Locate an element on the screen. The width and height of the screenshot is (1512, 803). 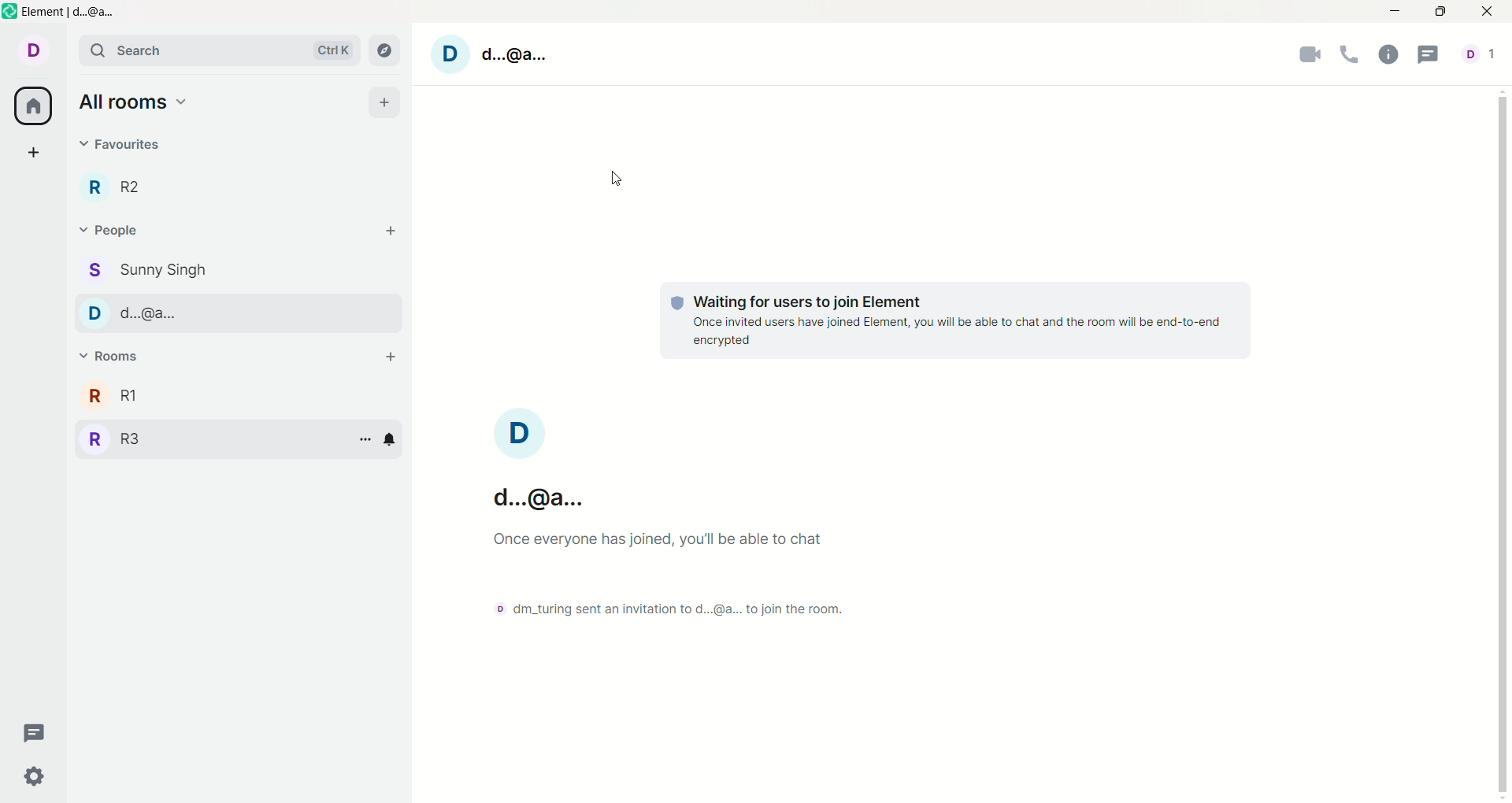
start chat is located at coordinates (390, 231).